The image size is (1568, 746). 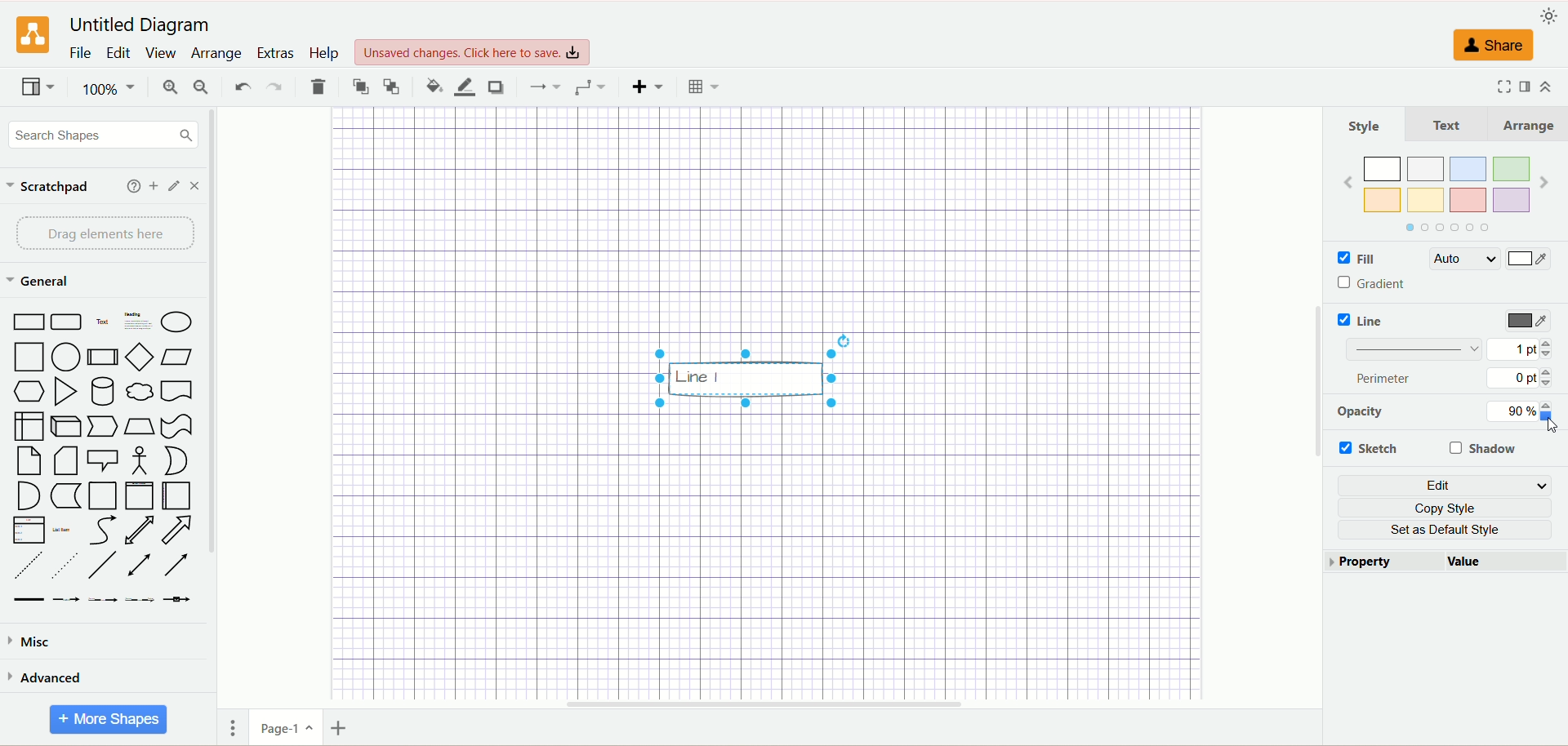 I want to click on edit, so click(x=117, y=53).